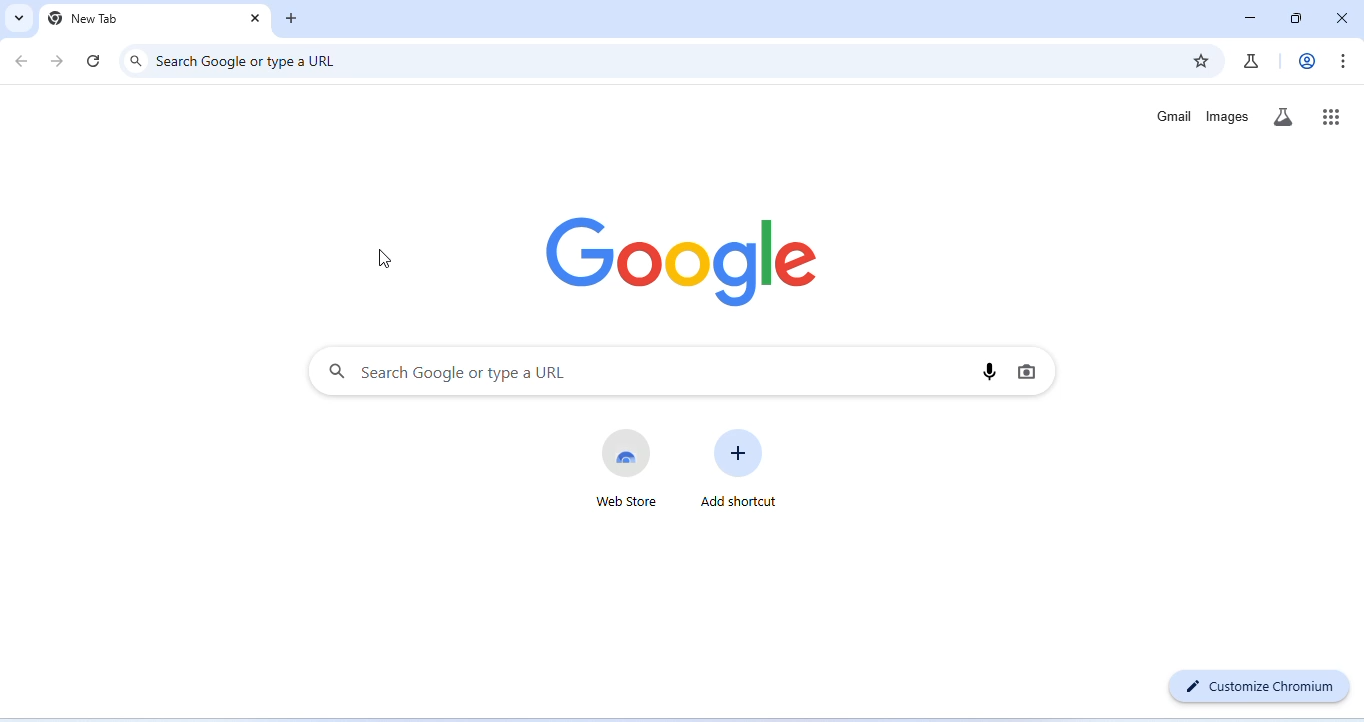 The height and width of the screenshot is (722, 1364). Describe the element at coordinates (1026, 370) in the screenshot. I see `image search` at that location.